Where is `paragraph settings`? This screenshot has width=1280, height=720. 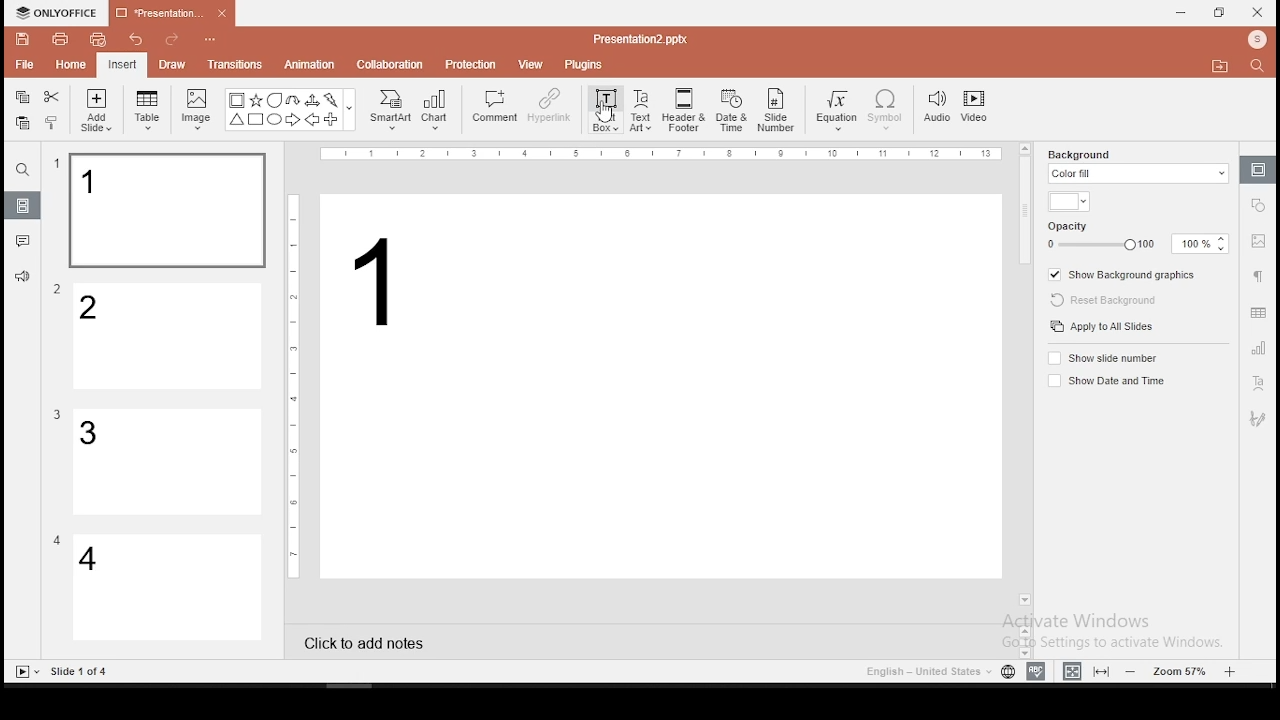 paragraph settings is located at coordinates (1256, 274).